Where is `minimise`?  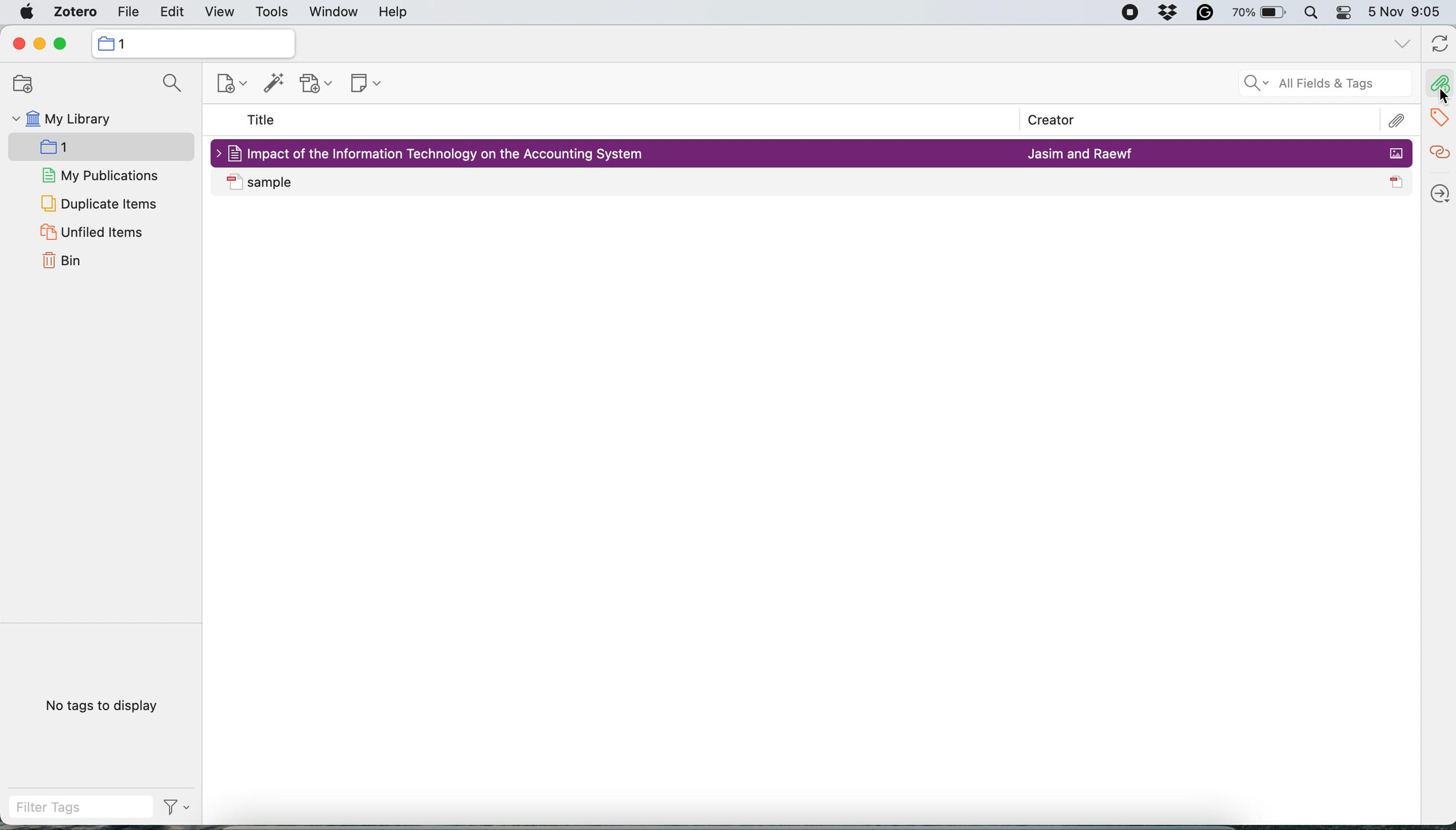 minimise is located at coordinates (39, 44).